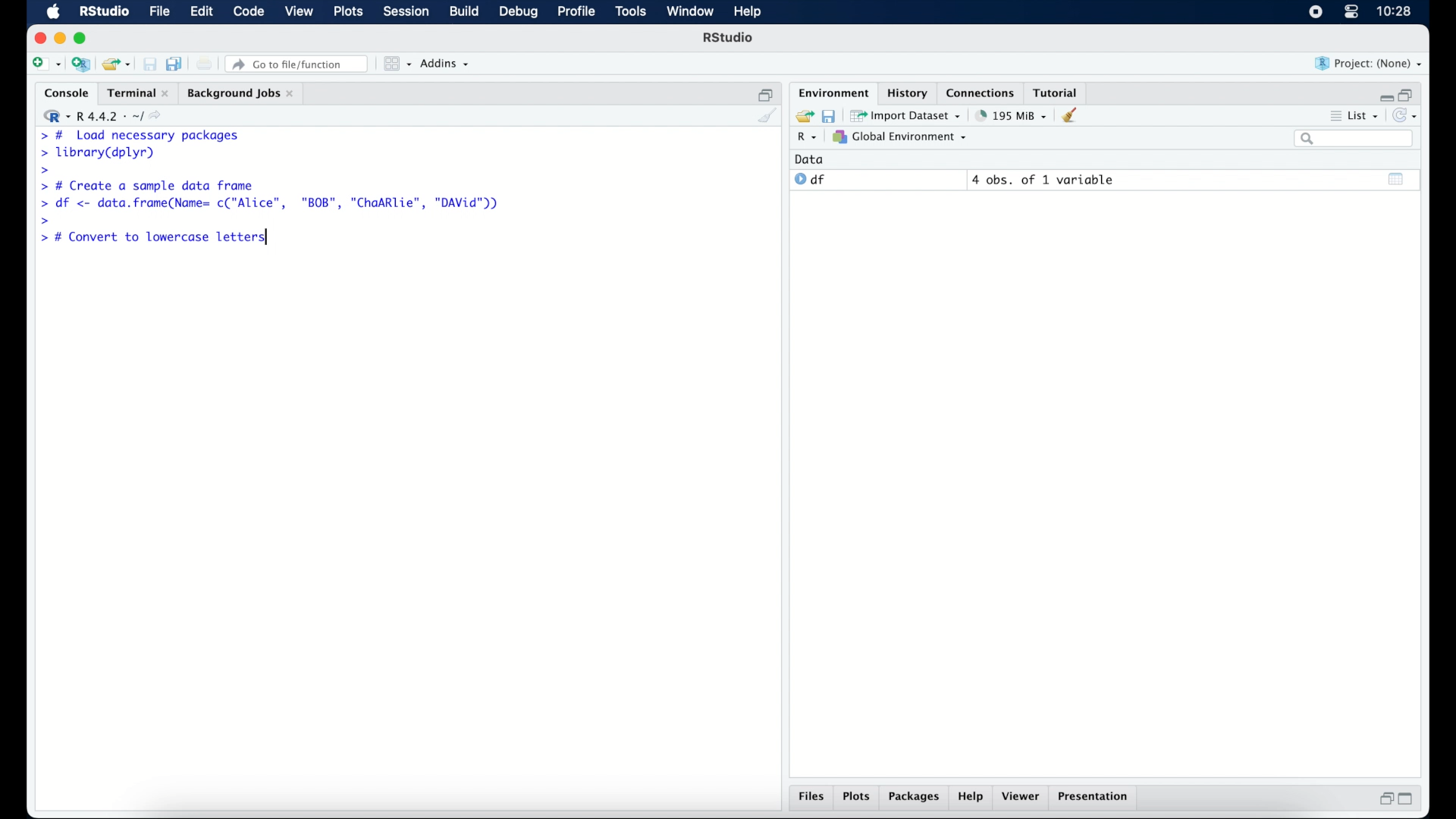  What do you see at coordinates (104, 12) in the screenshot?
I see `R Studio` at bounding box center [104, 12].